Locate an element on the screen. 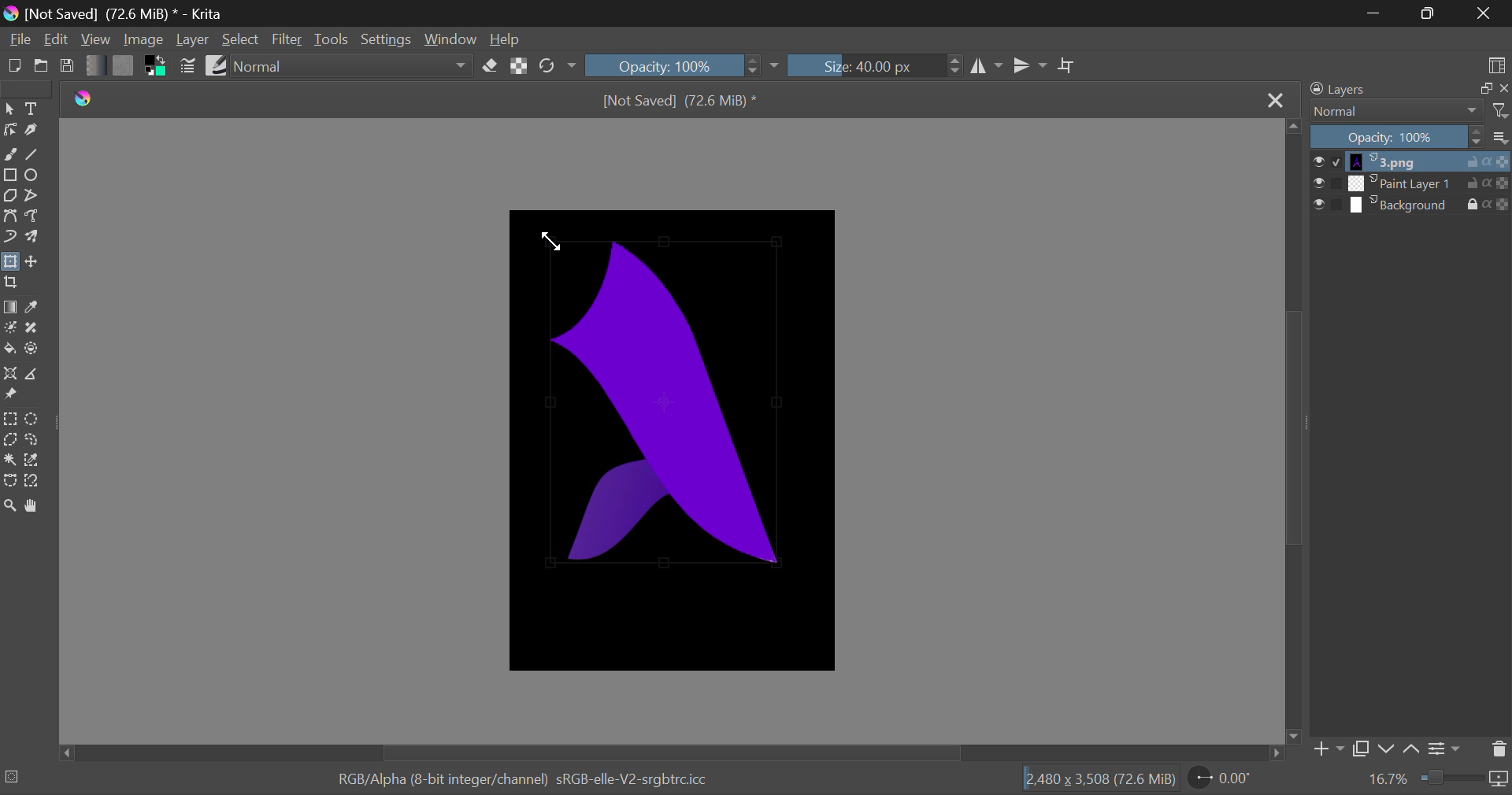 This screenshot has height=795, width=1512. filter is located at coordinates (1499, 113).